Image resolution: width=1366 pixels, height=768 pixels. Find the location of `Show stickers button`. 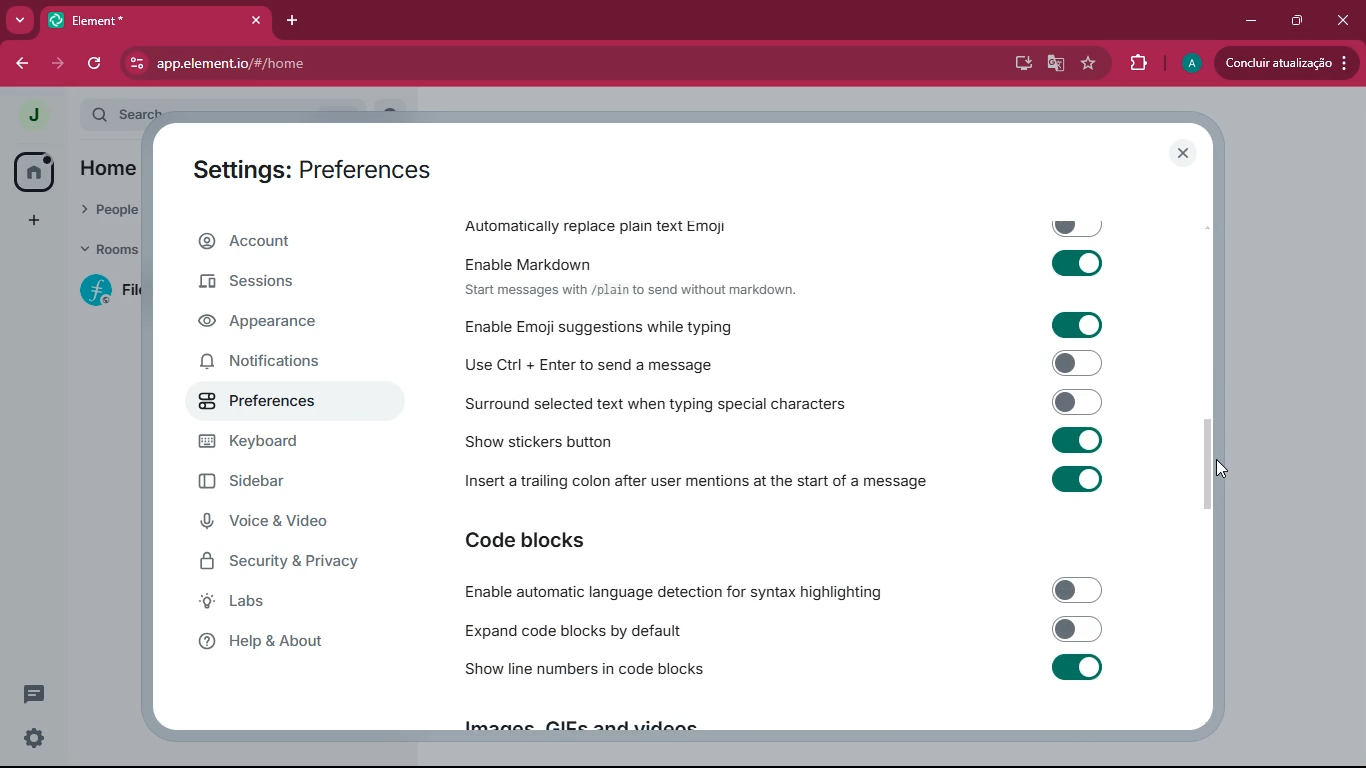

Show stickers button is located at coordinates (789, 445).